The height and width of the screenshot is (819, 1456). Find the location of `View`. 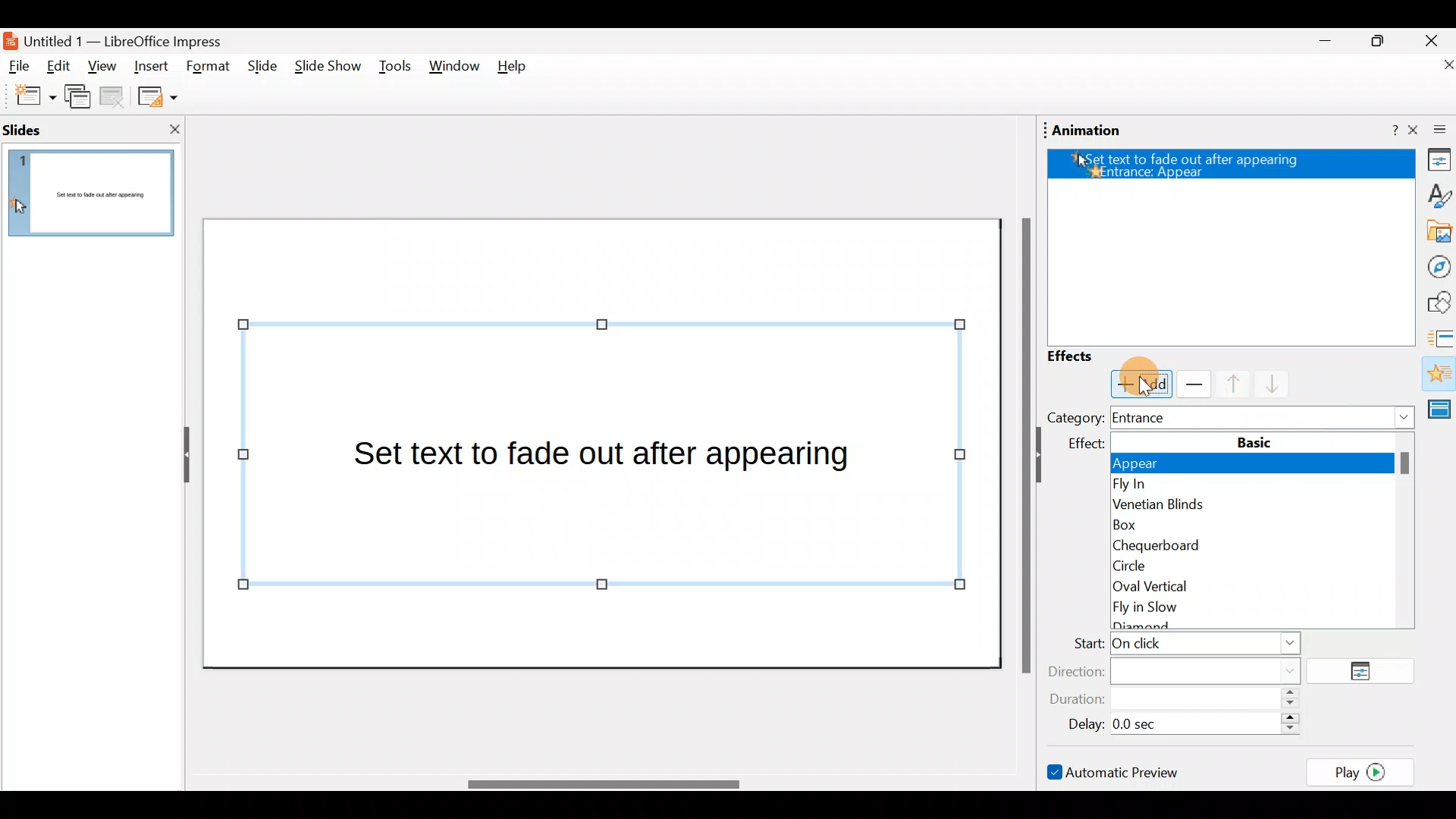

View is located at coordinates (102, 71).